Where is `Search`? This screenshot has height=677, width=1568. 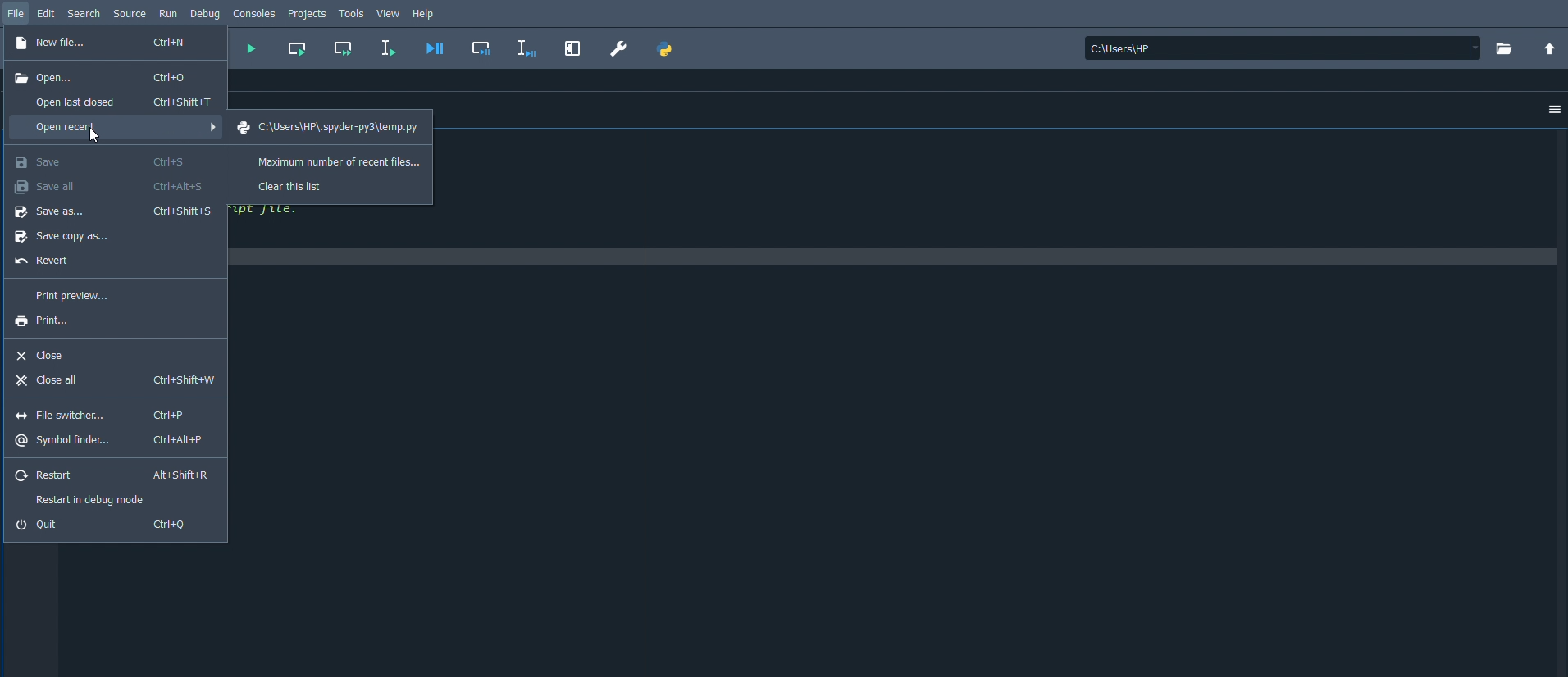 Search is located at coordinates (84, 12).